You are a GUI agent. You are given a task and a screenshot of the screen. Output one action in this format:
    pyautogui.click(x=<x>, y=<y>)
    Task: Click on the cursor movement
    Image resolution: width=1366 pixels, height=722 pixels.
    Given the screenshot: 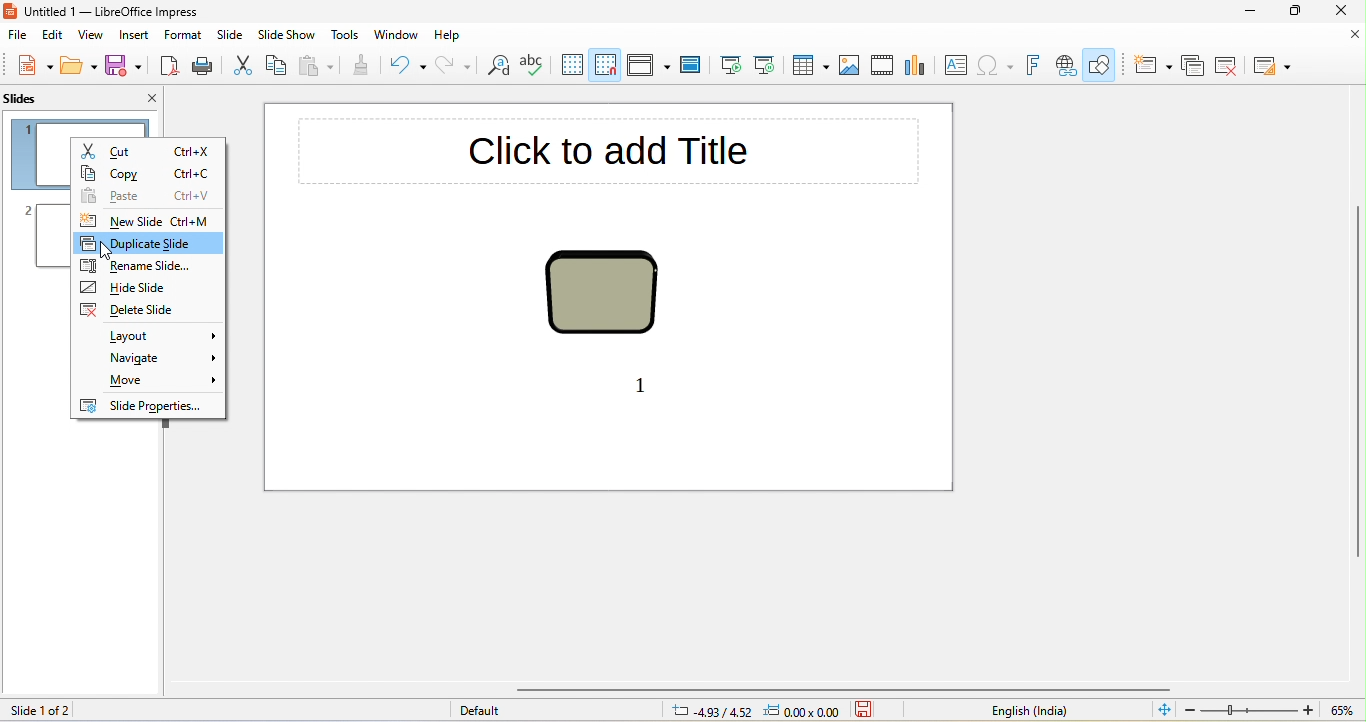 What is the action you would take?
    pyautogui.click(x=105, y=254)
    